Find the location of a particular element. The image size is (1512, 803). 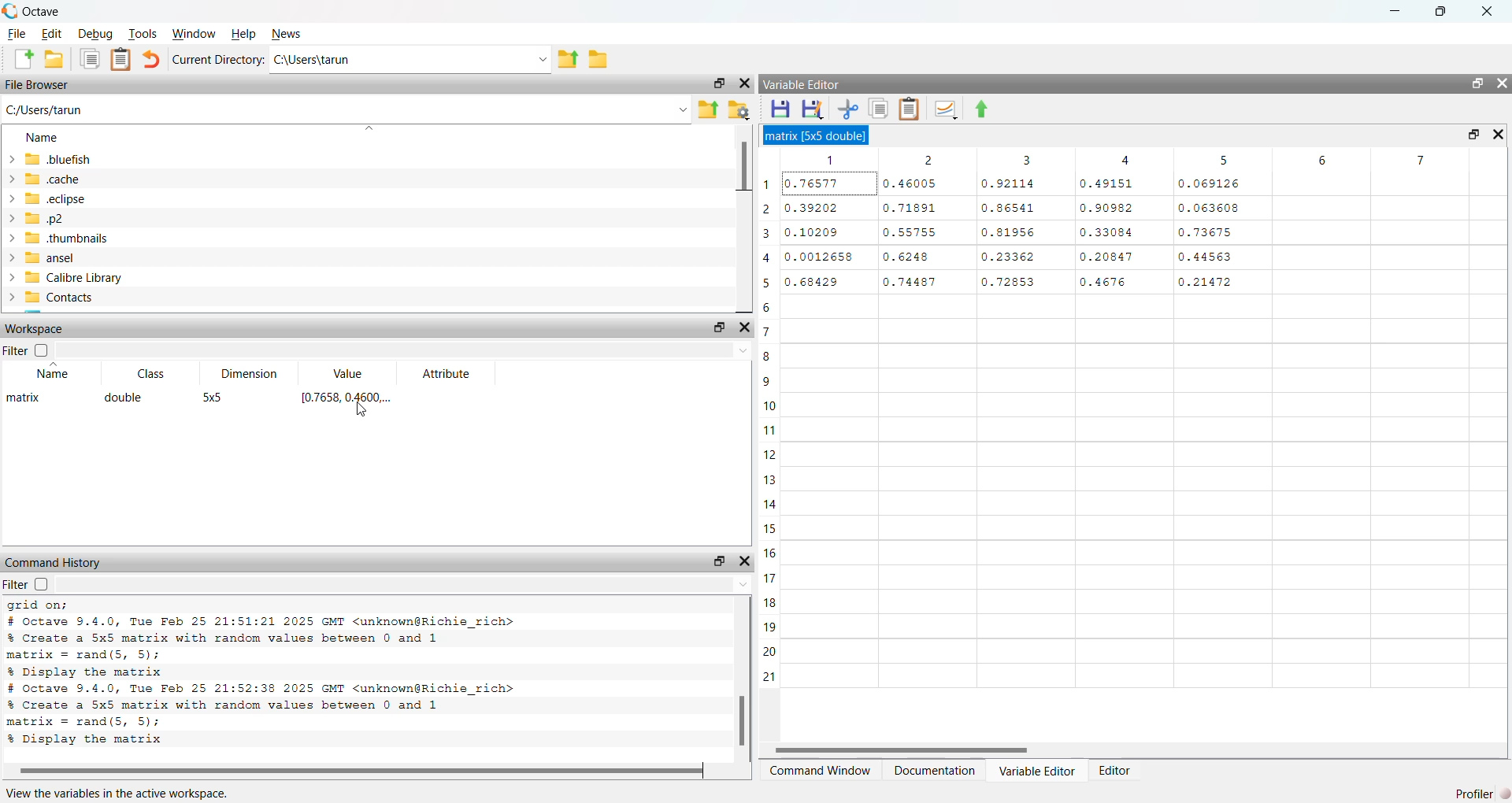

ech is located at coordinates (46, 200).